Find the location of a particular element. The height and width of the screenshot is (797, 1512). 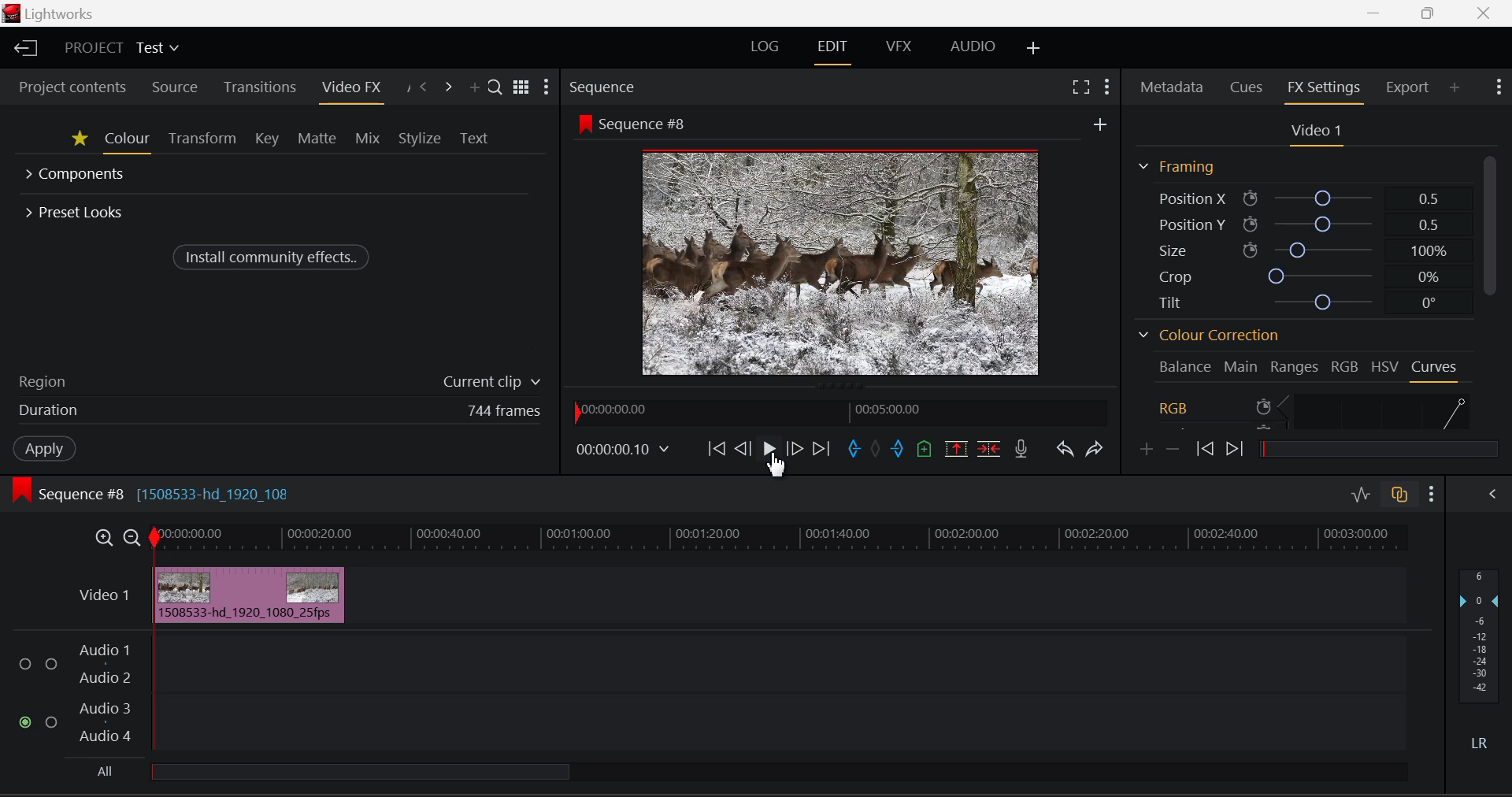

Show Settings is located at coordinates (1110, 86).